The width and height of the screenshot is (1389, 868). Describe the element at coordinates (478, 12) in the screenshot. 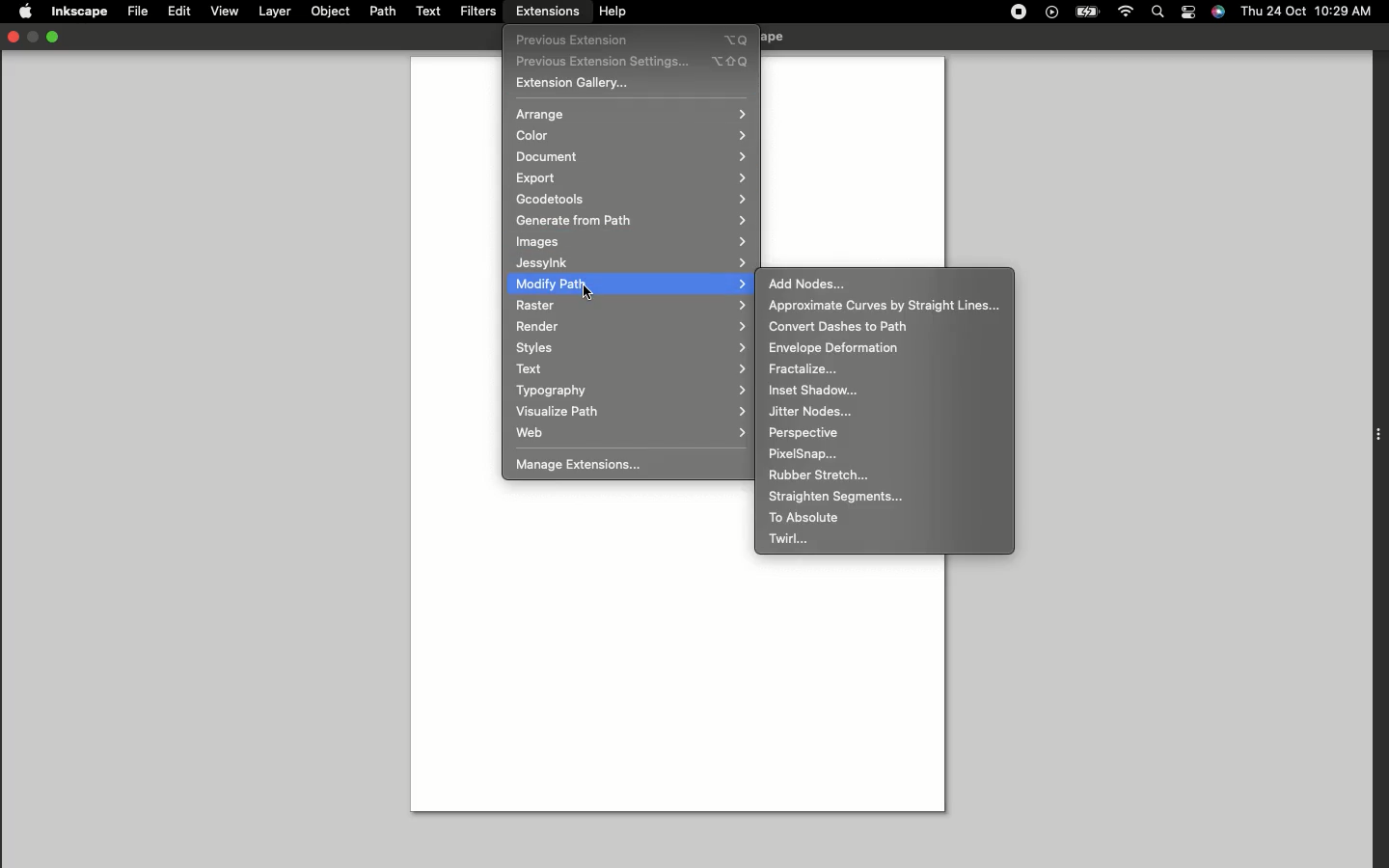

I see `Filters` at that location.